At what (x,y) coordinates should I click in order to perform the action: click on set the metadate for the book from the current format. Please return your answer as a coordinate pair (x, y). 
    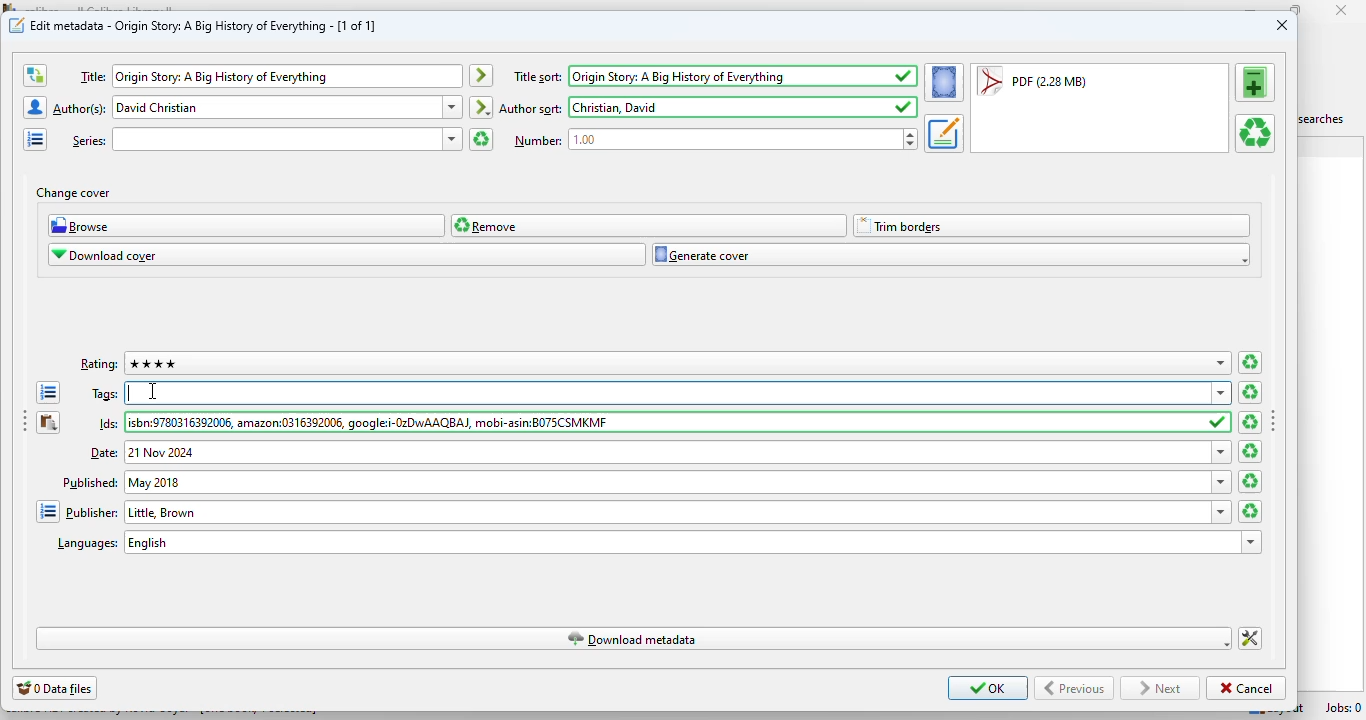
    Looking at the image, I should click on (943, 133).